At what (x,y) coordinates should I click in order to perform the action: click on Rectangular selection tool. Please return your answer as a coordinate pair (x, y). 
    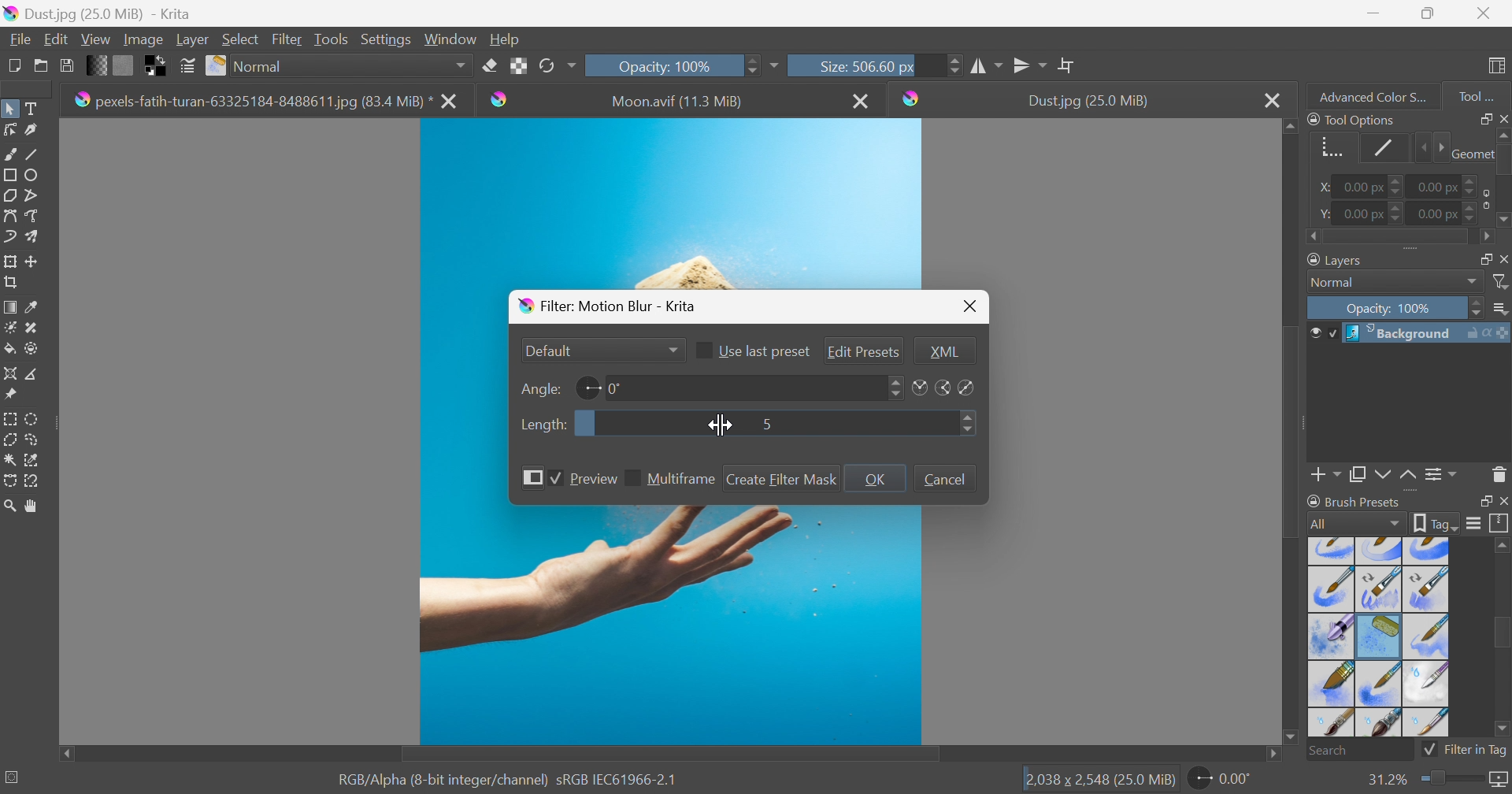
    Looking at the image, I should click on (12, 416).